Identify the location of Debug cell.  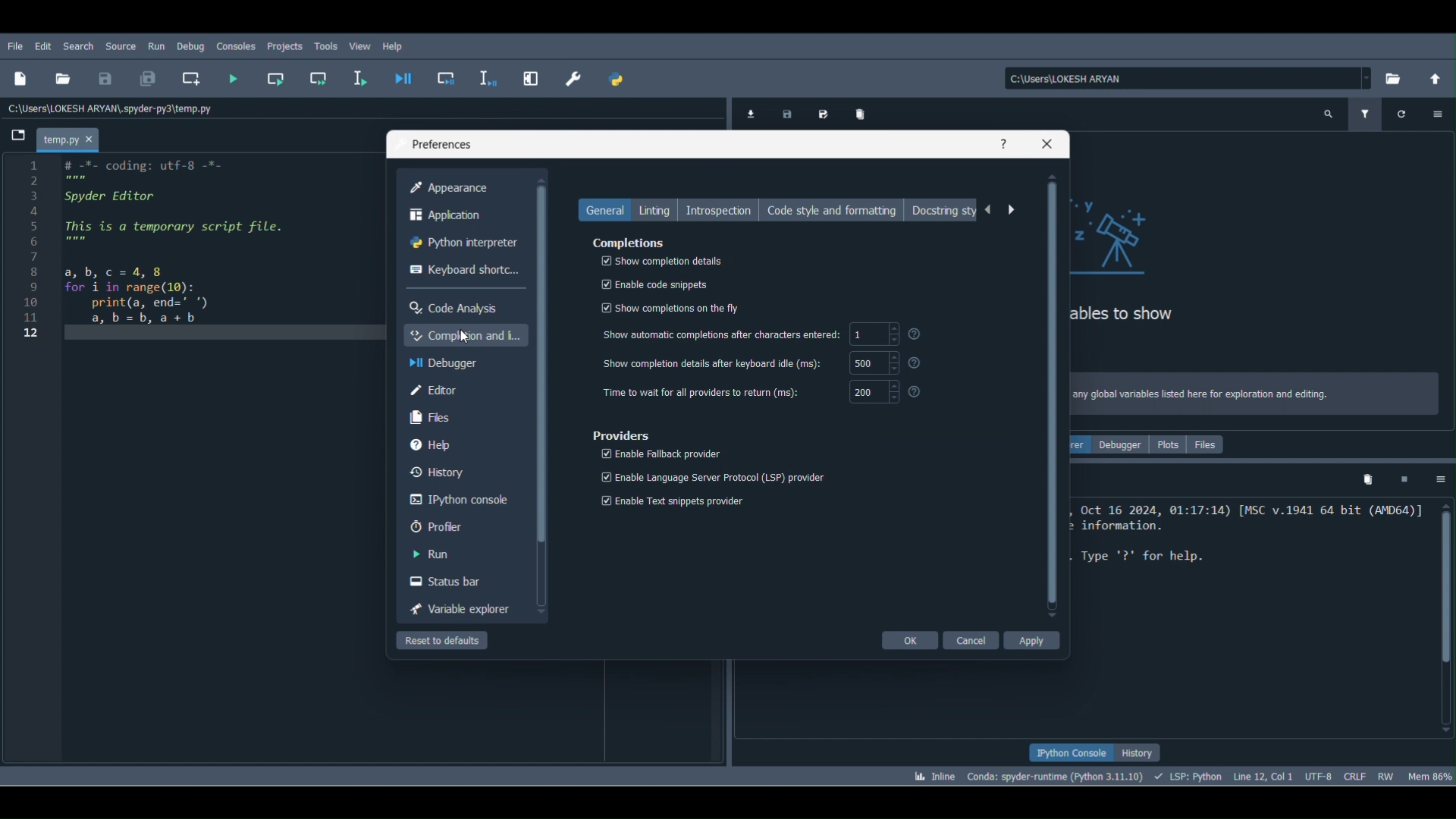
(453, 80).